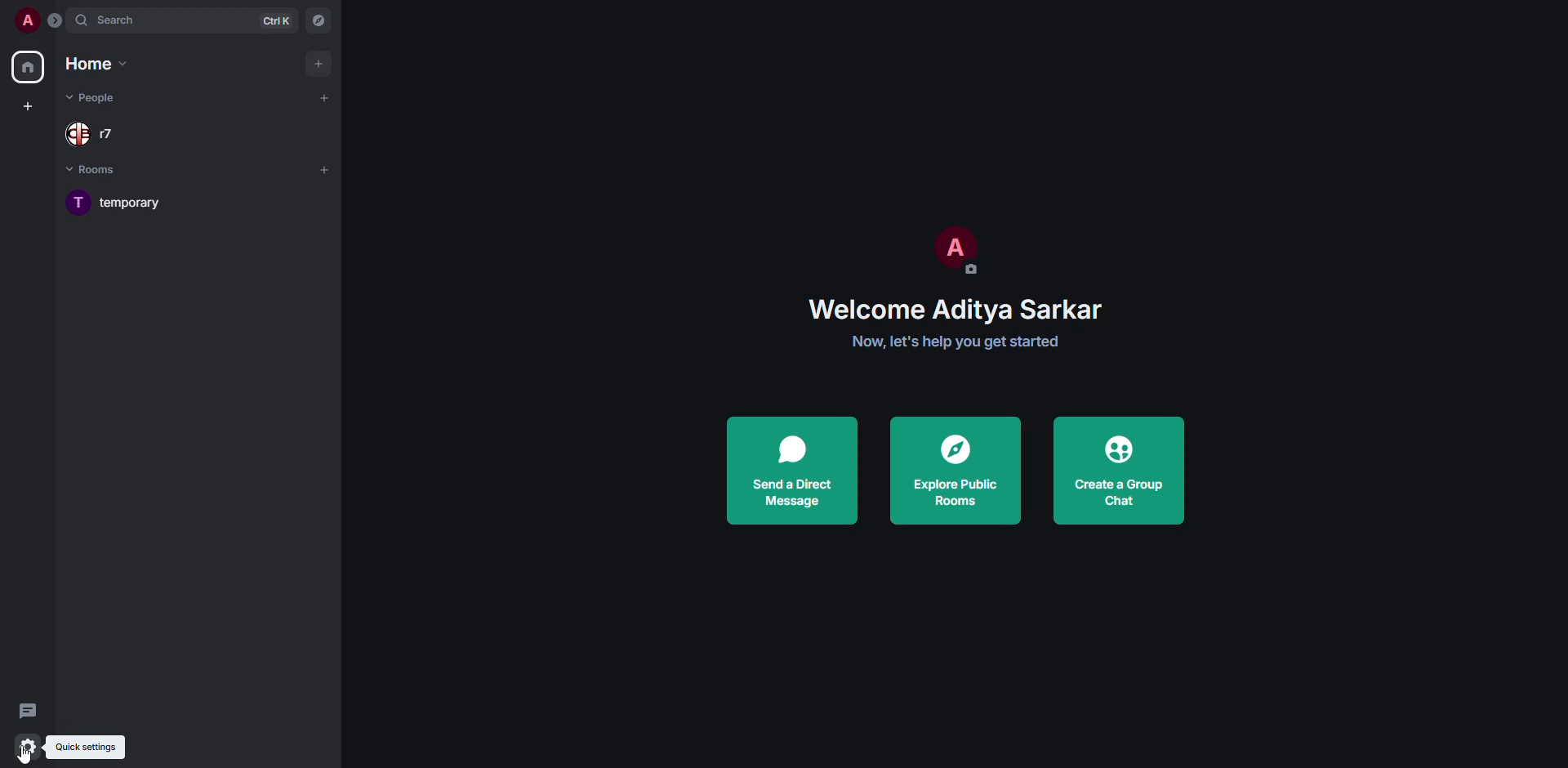  What do you see at coordinates (26, 745) in the screenshot?
I see `quick settings` at bounding box center [26, 745].